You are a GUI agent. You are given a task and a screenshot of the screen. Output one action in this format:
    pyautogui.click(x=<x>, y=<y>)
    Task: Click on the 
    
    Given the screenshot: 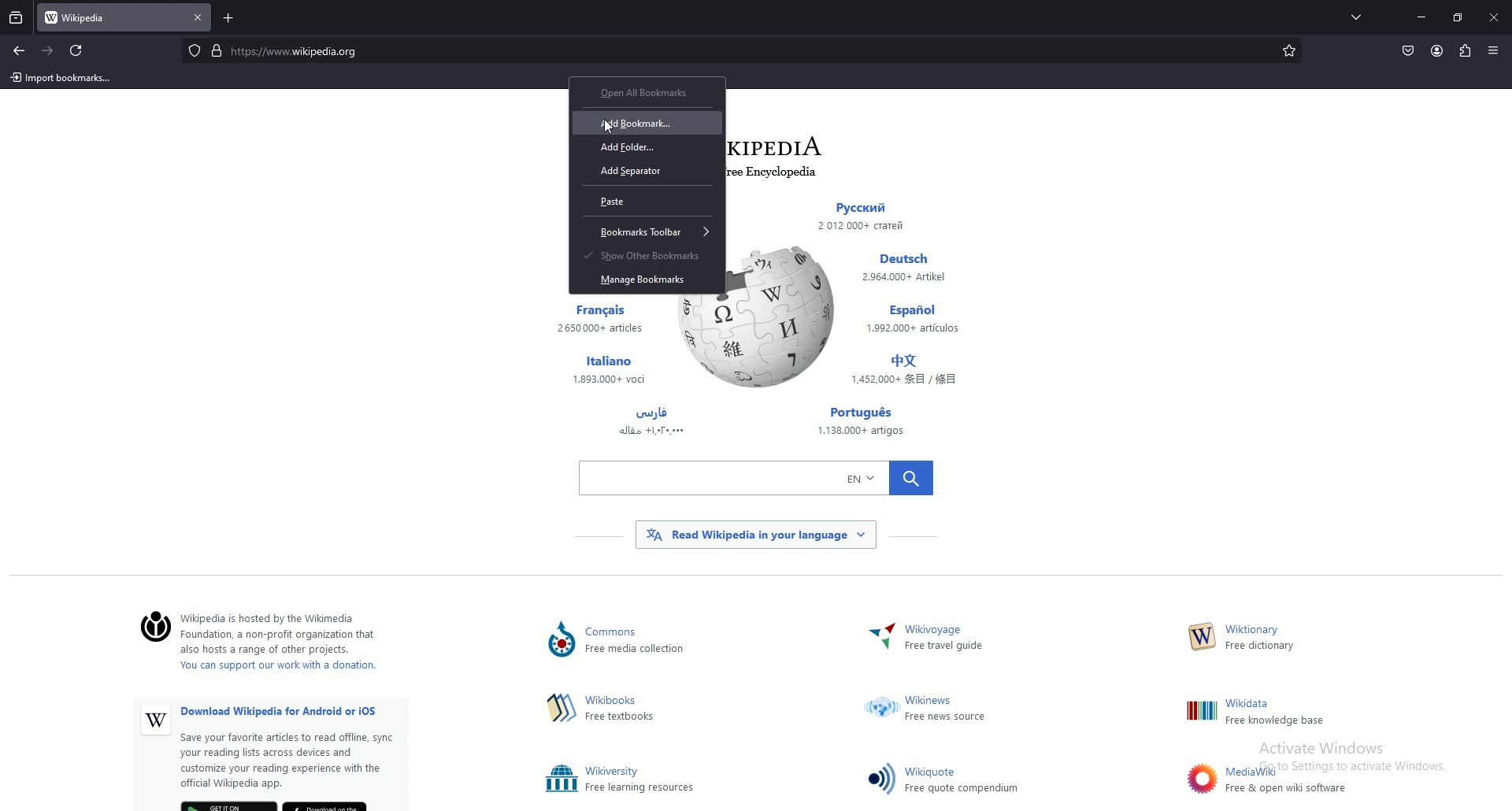 What is the action you would take?
    pyautogui.click(x=755, y=535)
    